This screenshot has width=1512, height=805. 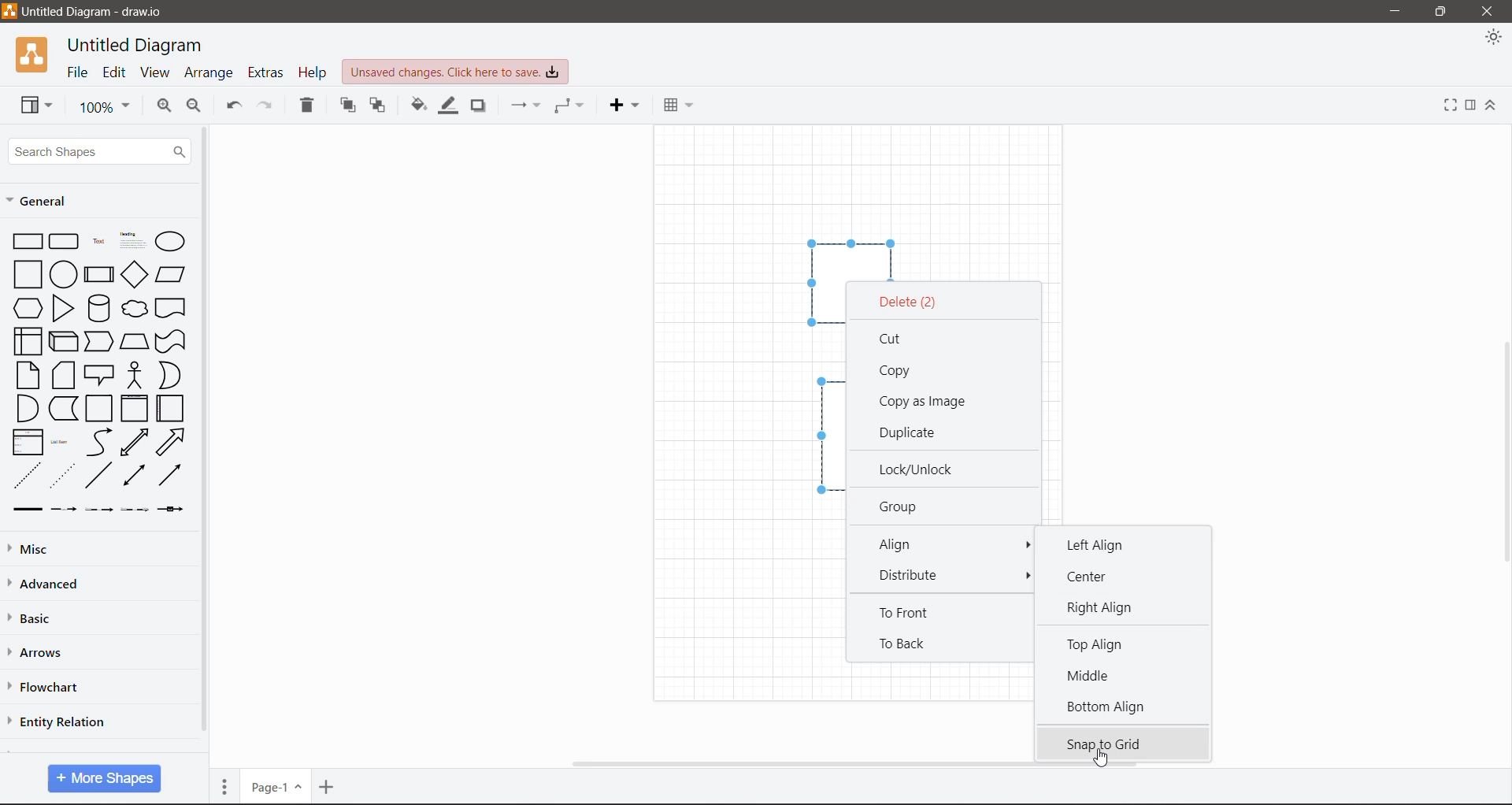 I want to click on Shadow, so click(x=477, y=108).